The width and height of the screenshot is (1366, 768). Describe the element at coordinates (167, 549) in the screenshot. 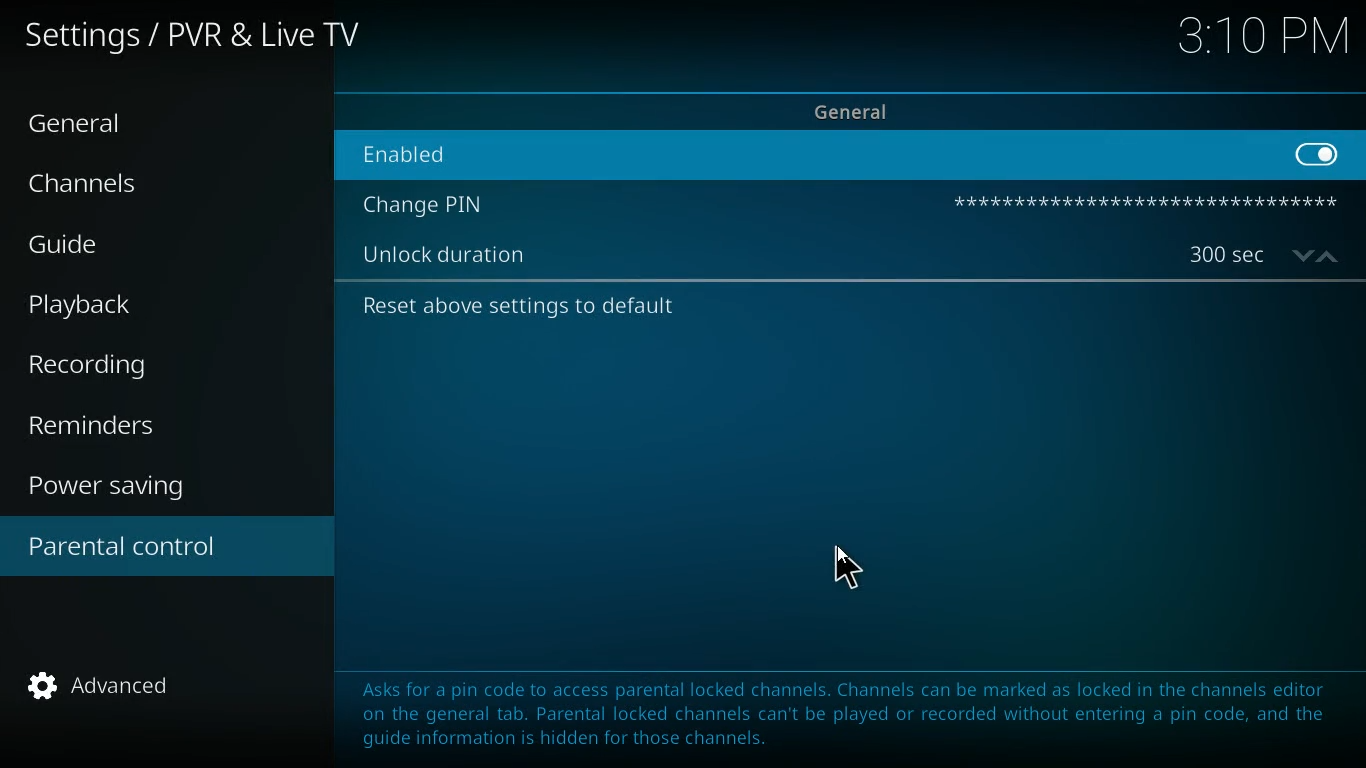

I see `parental control` at that location.